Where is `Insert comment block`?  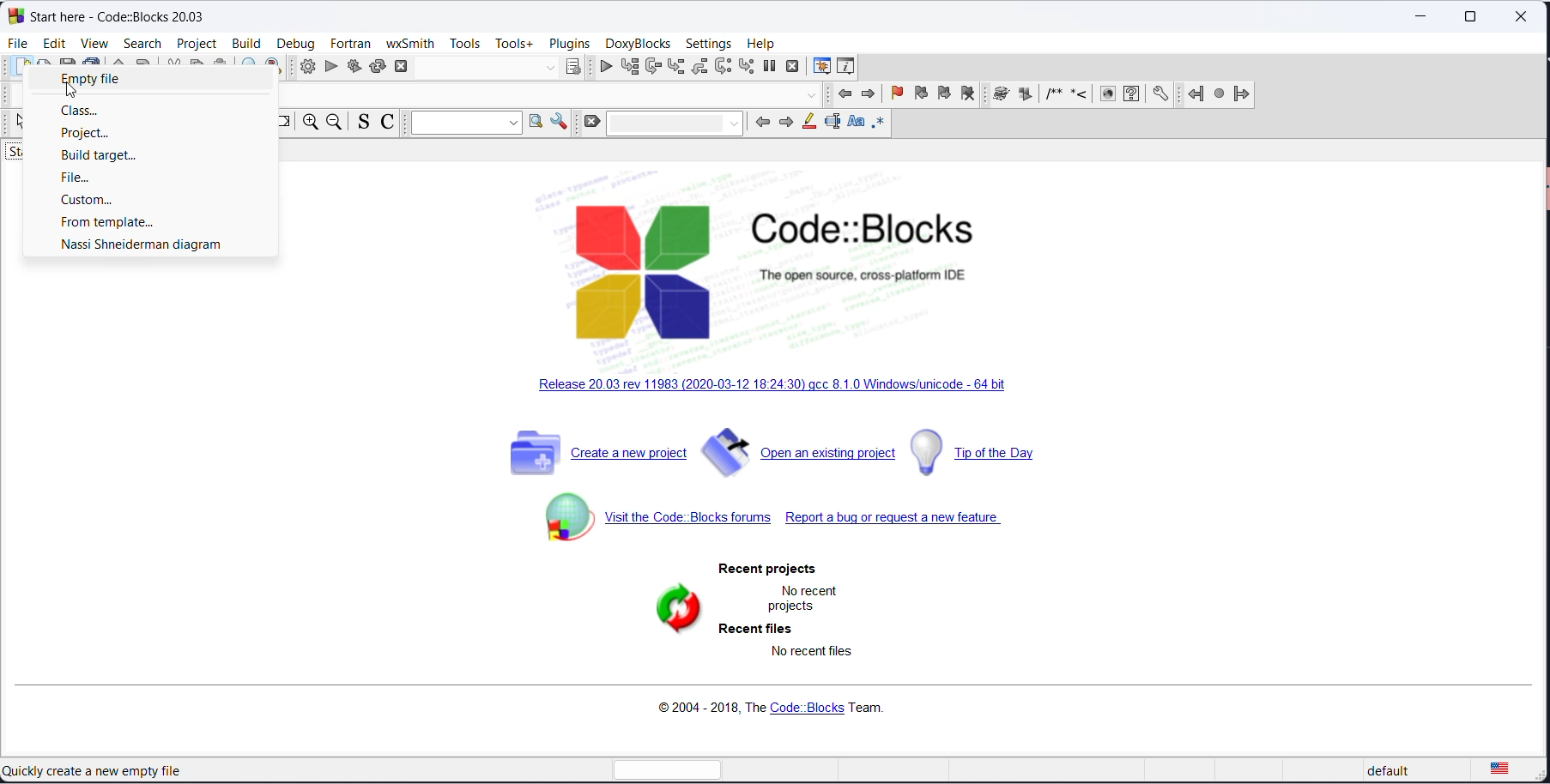 Insert comment block is located at coordinates (1055, 95).